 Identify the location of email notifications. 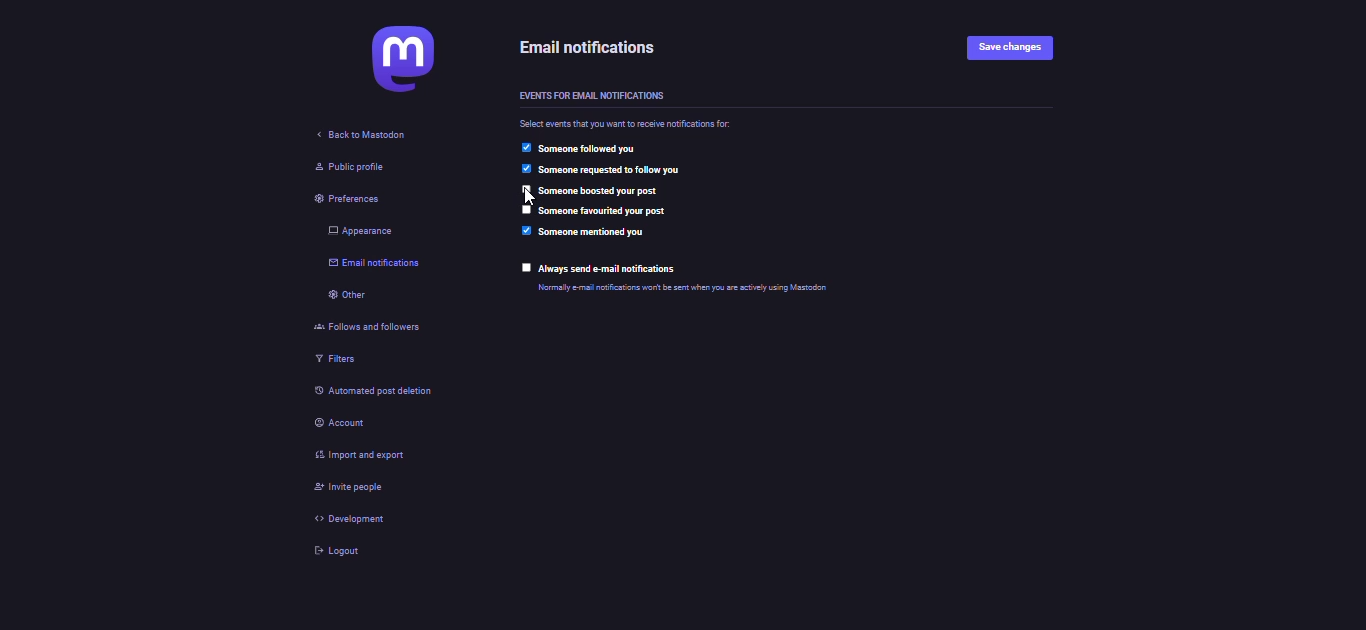
(369, 265).